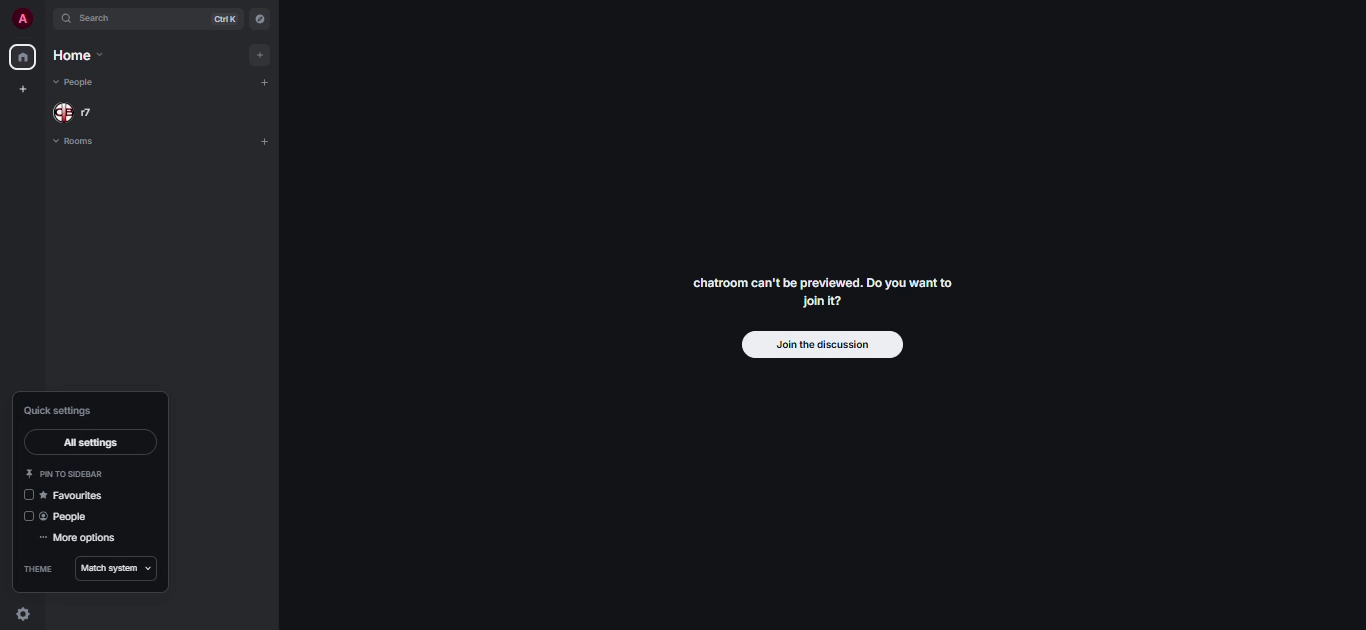 The image size is (1366, 630). Describe the element at coordinates (20, 614) in the screenshot. I see `quick settings` at that location.